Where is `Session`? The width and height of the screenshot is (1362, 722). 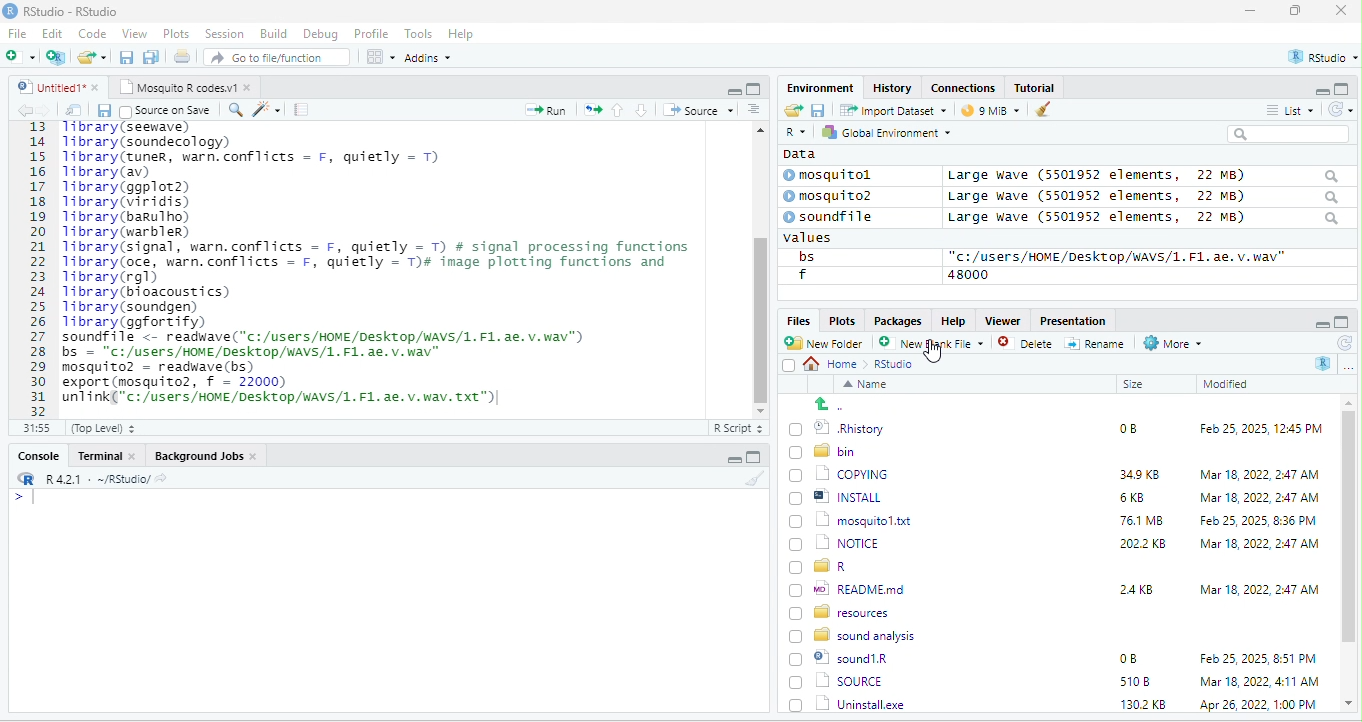
Session is located at coordinates (225, 32).